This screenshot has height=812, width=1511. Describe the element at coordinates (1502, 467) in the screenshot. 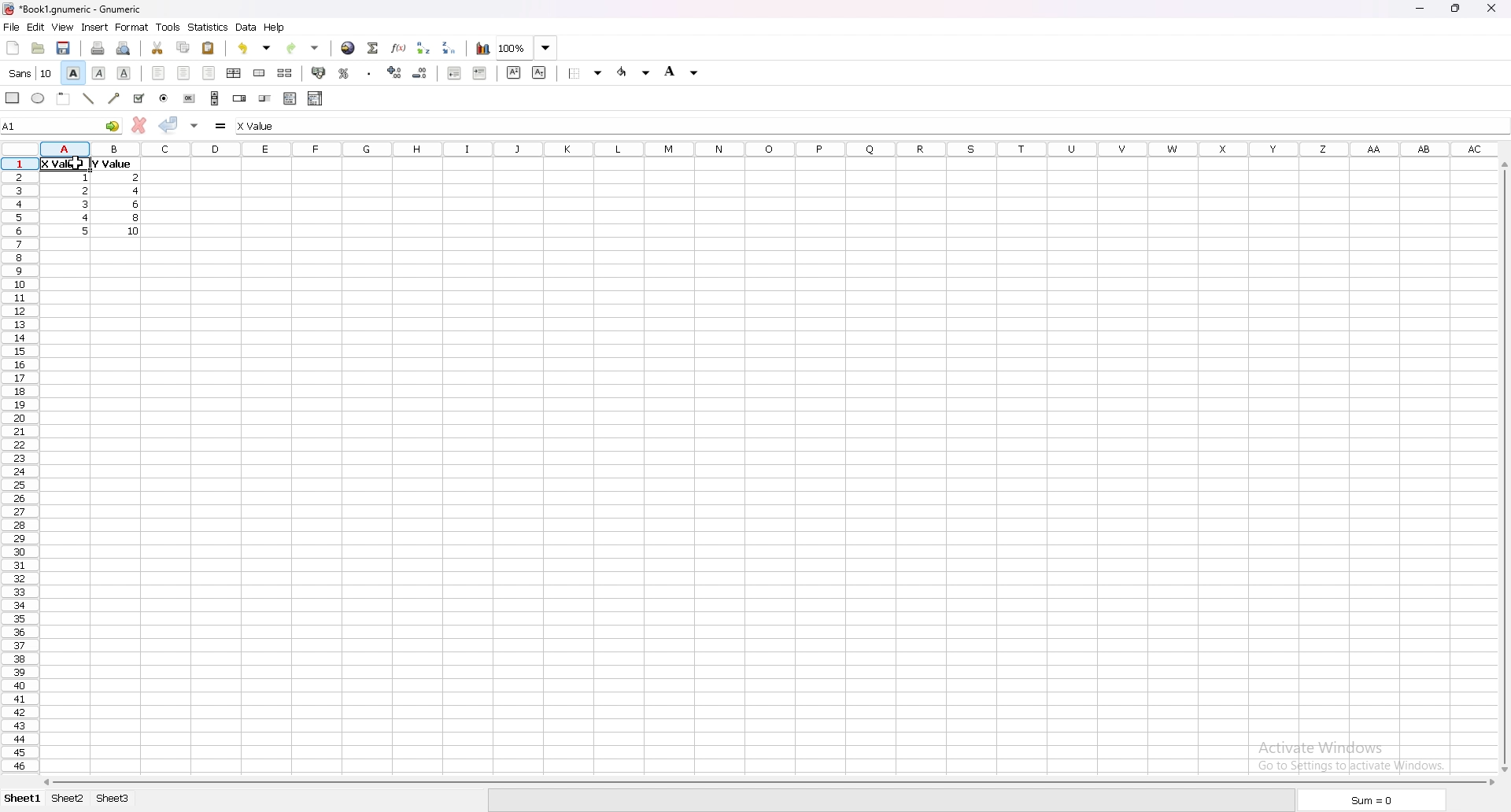

I see `scroll bar` at that location.